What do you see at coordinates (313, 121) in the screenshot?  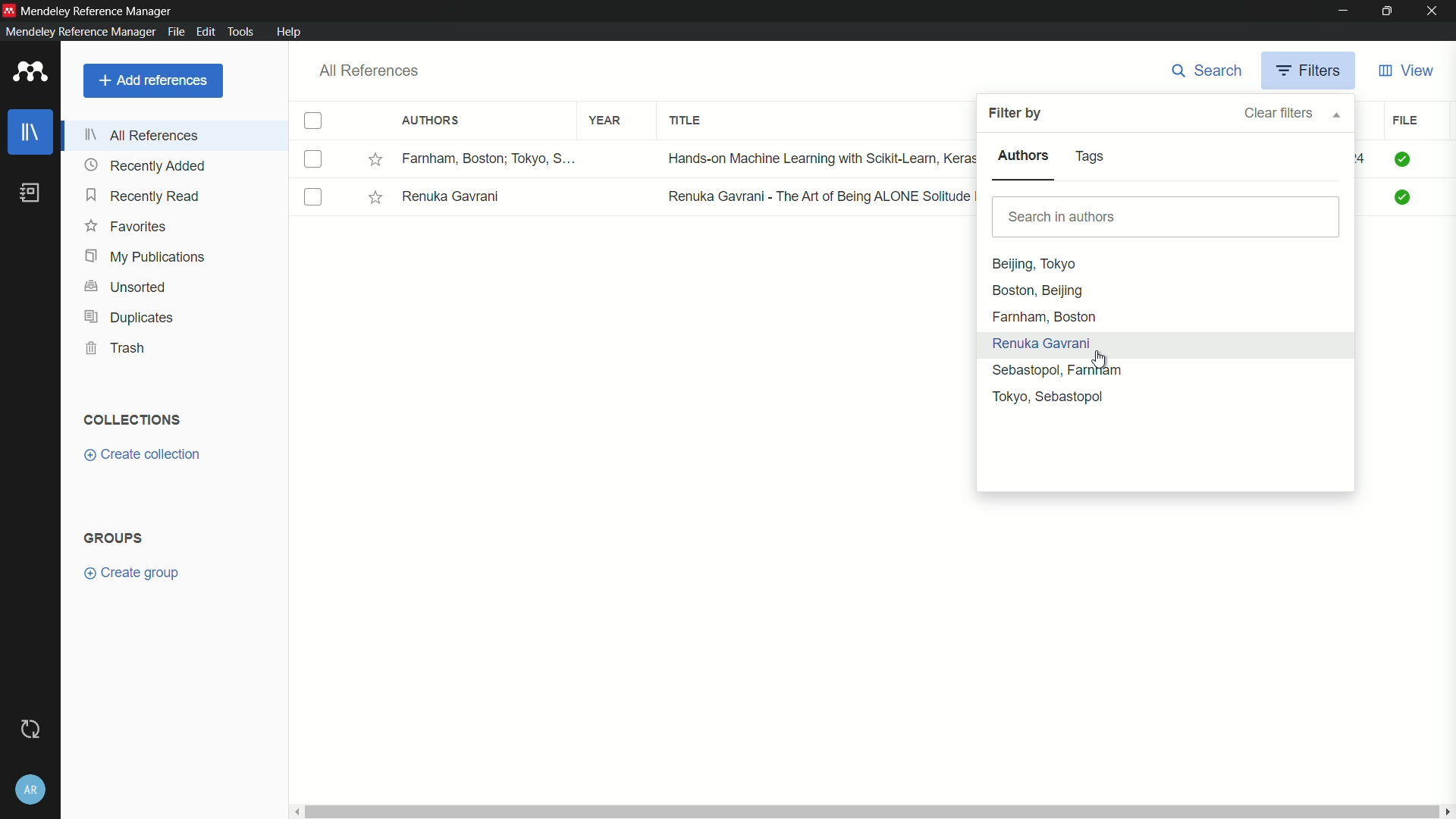 I see `check box` at bounding box center [313, 121].